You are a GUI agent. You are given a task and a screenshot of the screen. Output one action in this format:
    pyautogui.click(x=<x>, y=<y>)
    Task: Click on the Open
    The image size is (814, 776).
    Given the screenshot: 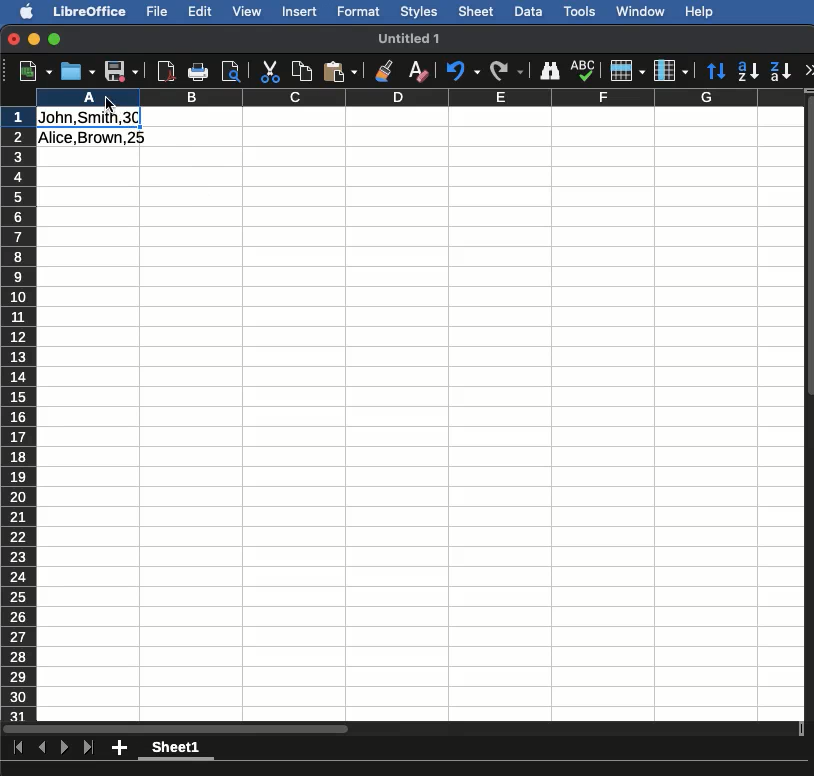 What is the action you would take?
    pyautogui.click(x=79, y=71)
    